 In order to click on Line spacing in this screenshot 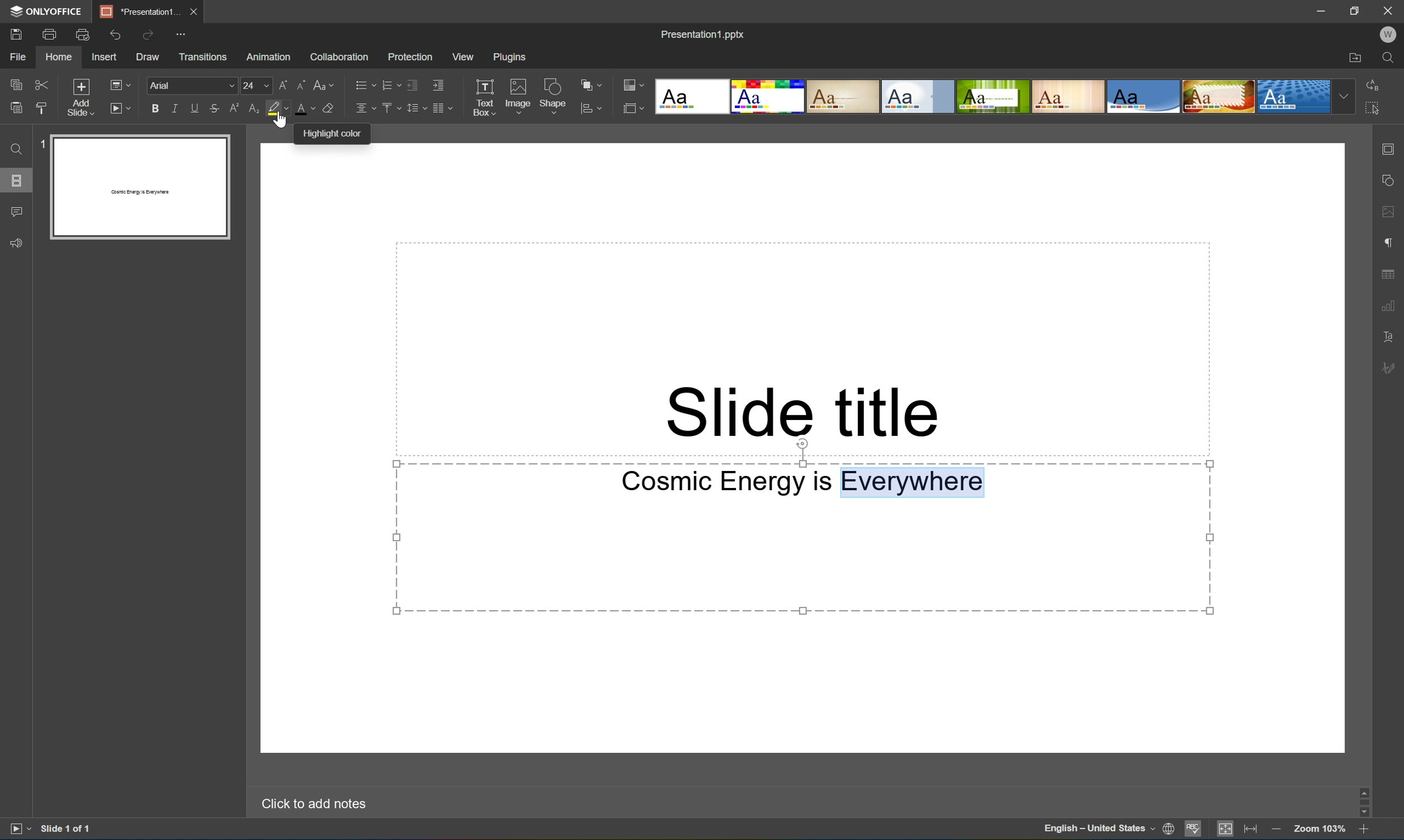, I will do `click(416, 108)`.